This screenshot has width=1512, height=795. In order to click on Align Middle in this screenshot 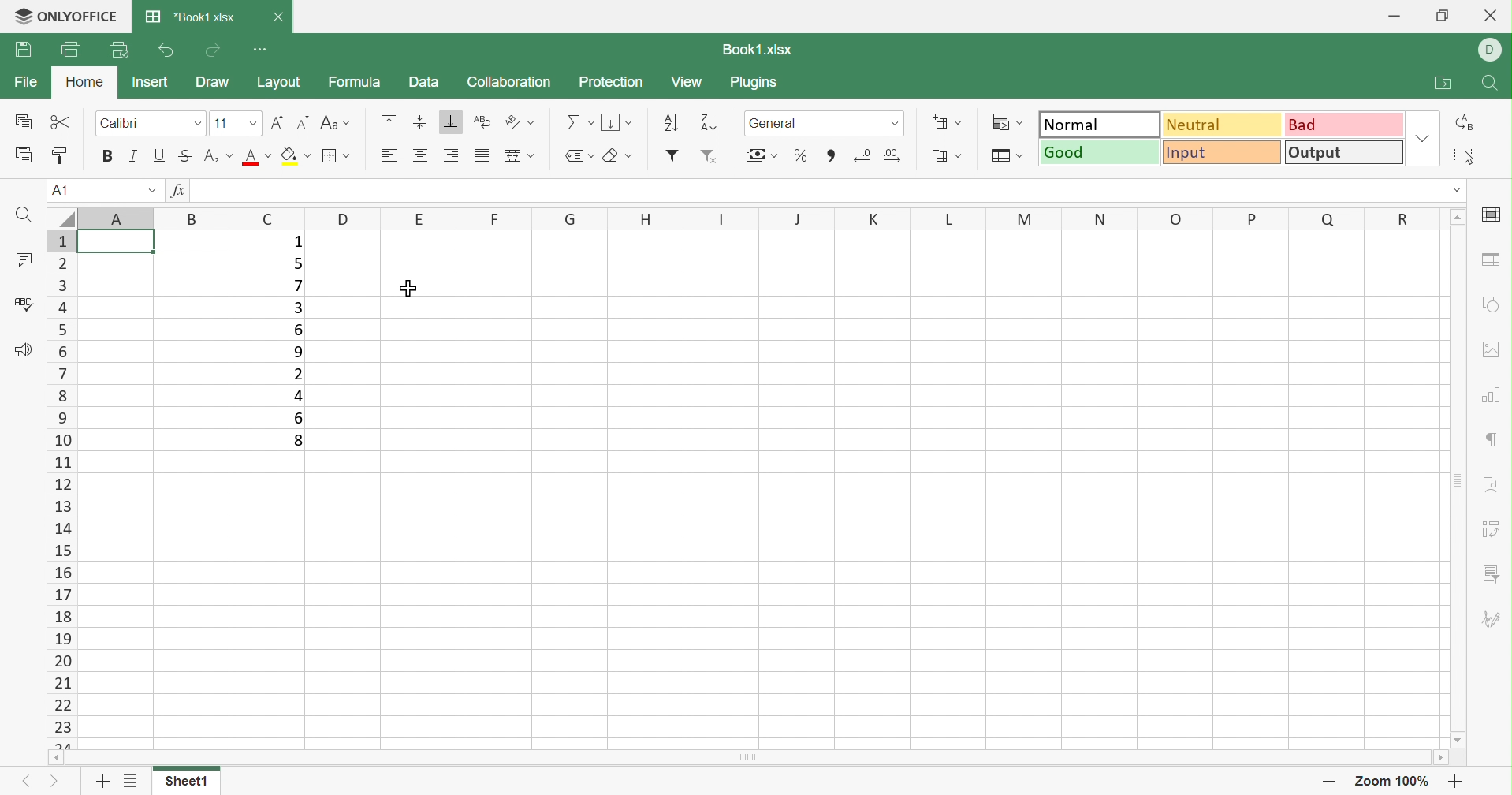, I will do `click(420, 122)`.